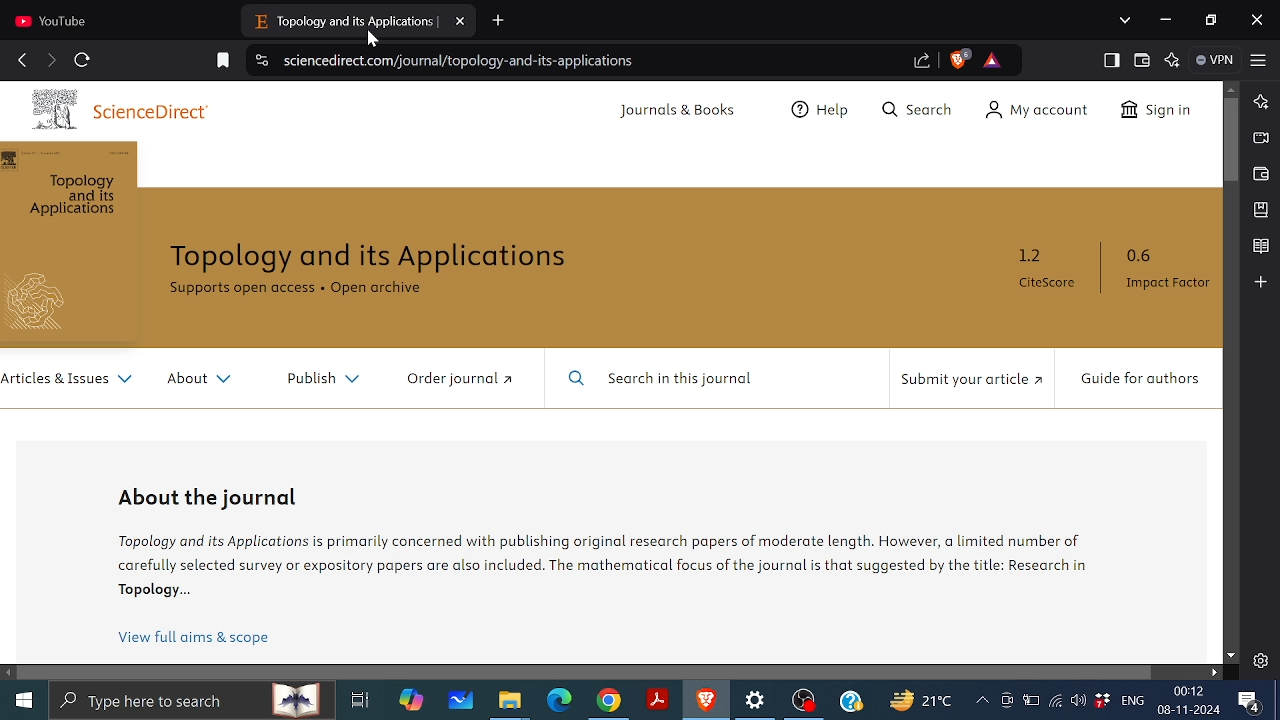 This screenshot has width=1280, height=720. I want to click on Show hidden icons, so click(982, 701).